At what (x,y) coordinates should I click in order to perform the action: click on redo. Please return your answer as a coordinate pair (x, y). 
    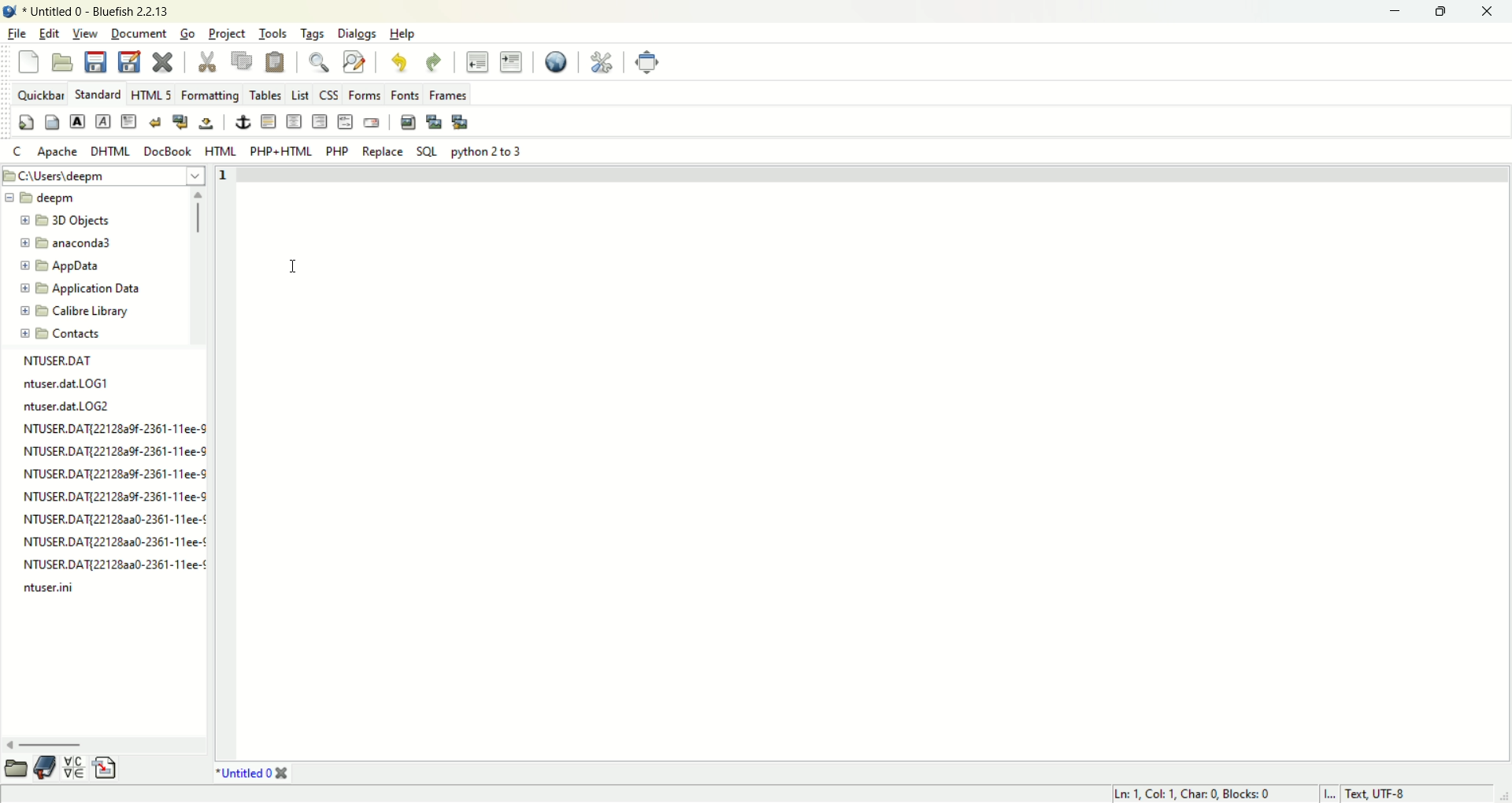
    Looking at the image, I should click on (433, 62).